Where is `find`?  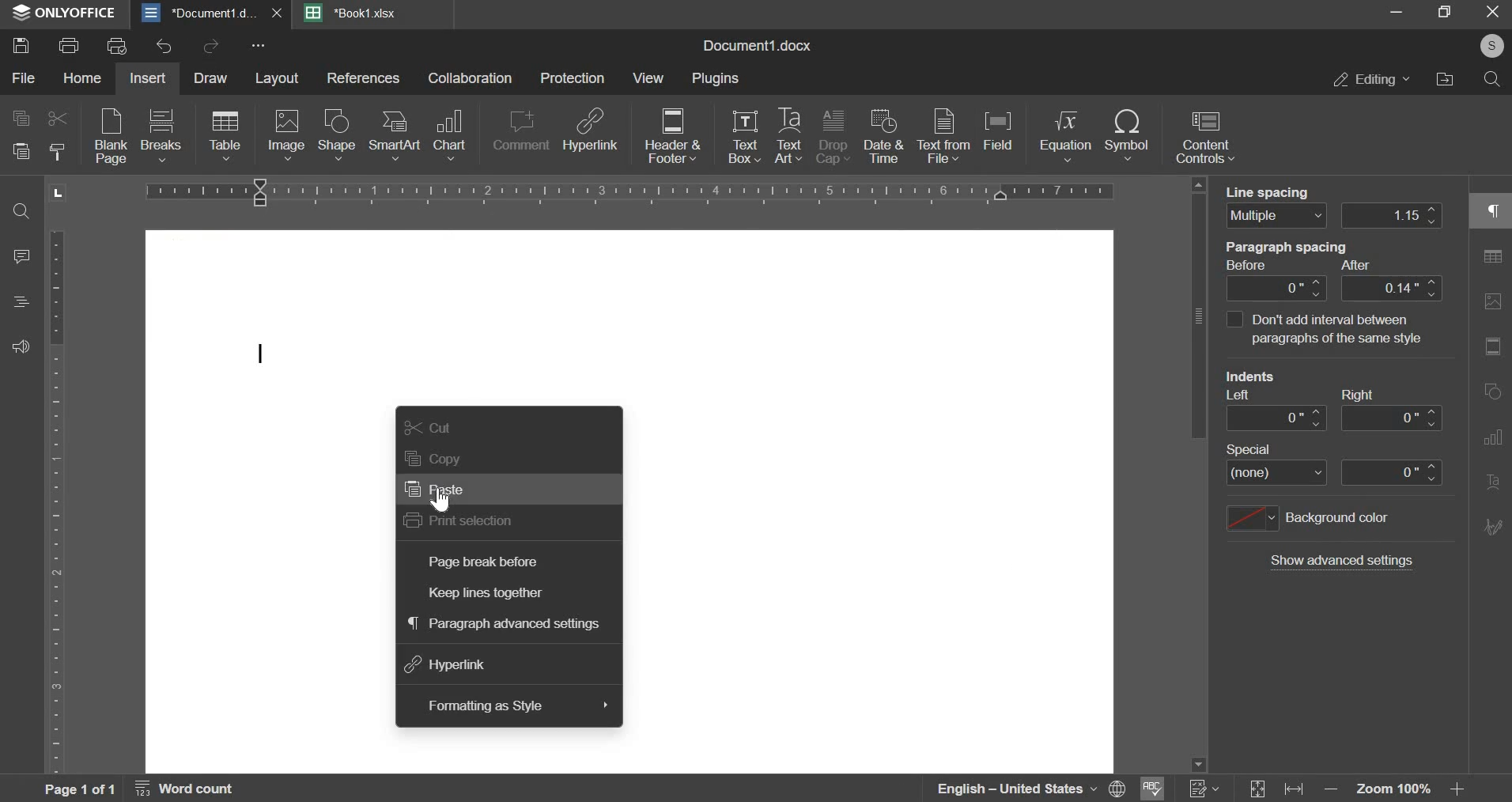
find is located at coordinates (21, 212).